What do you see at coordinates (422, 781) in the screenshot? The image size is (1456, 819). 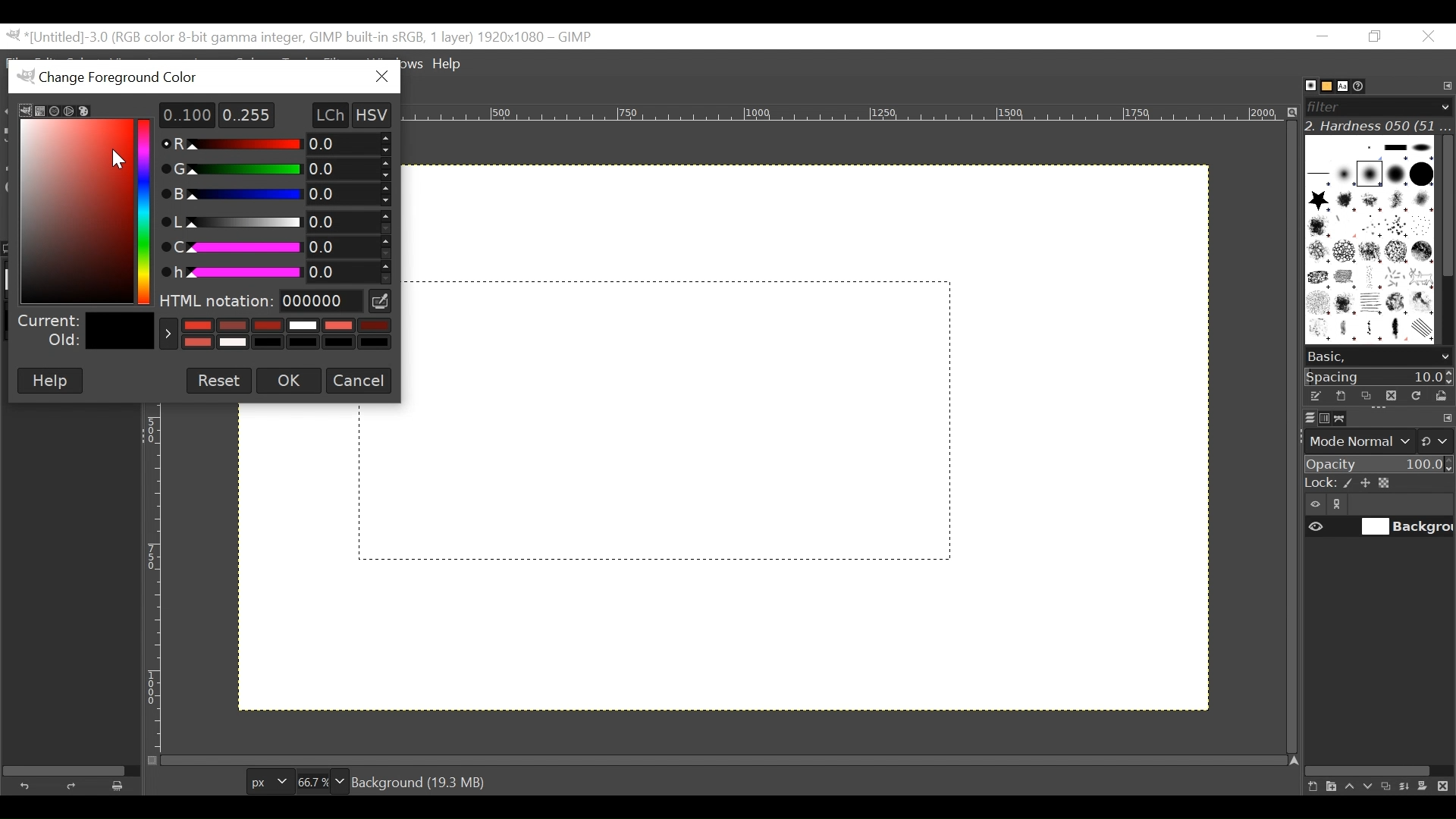 I see `Background (19.3 MB)` at bounding box center [422, 781].